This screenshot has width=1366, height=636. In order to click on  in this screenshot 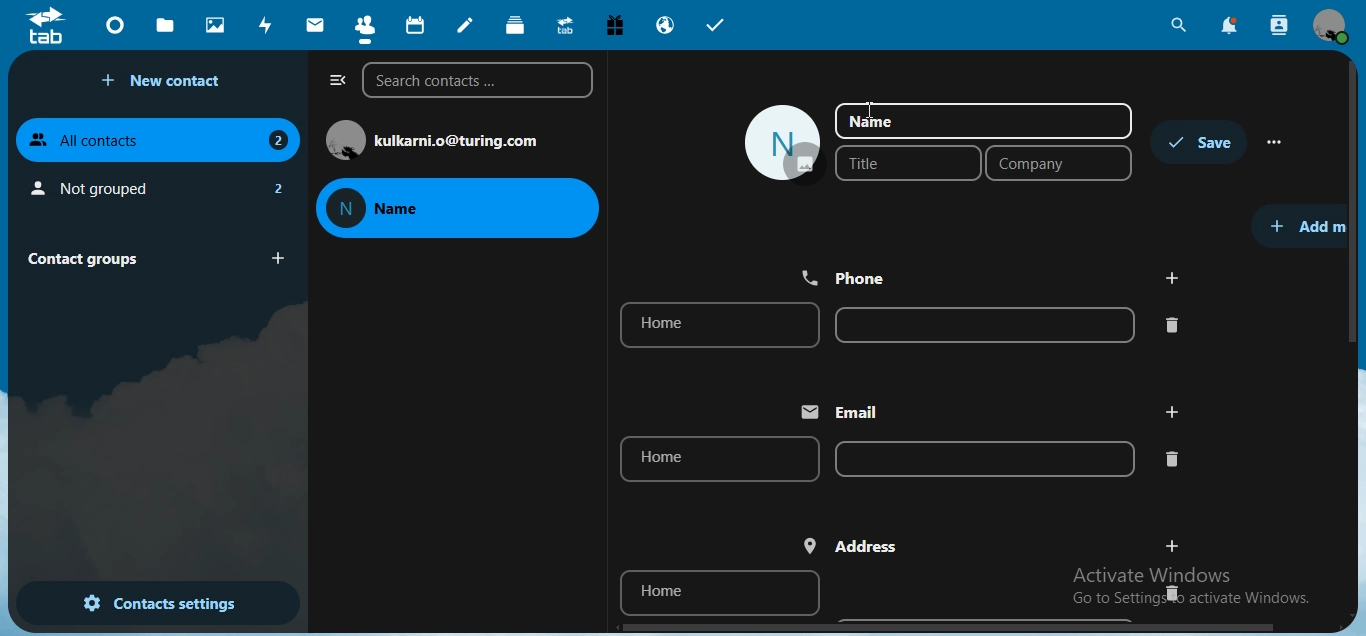, I will do `click(988, 323)`.